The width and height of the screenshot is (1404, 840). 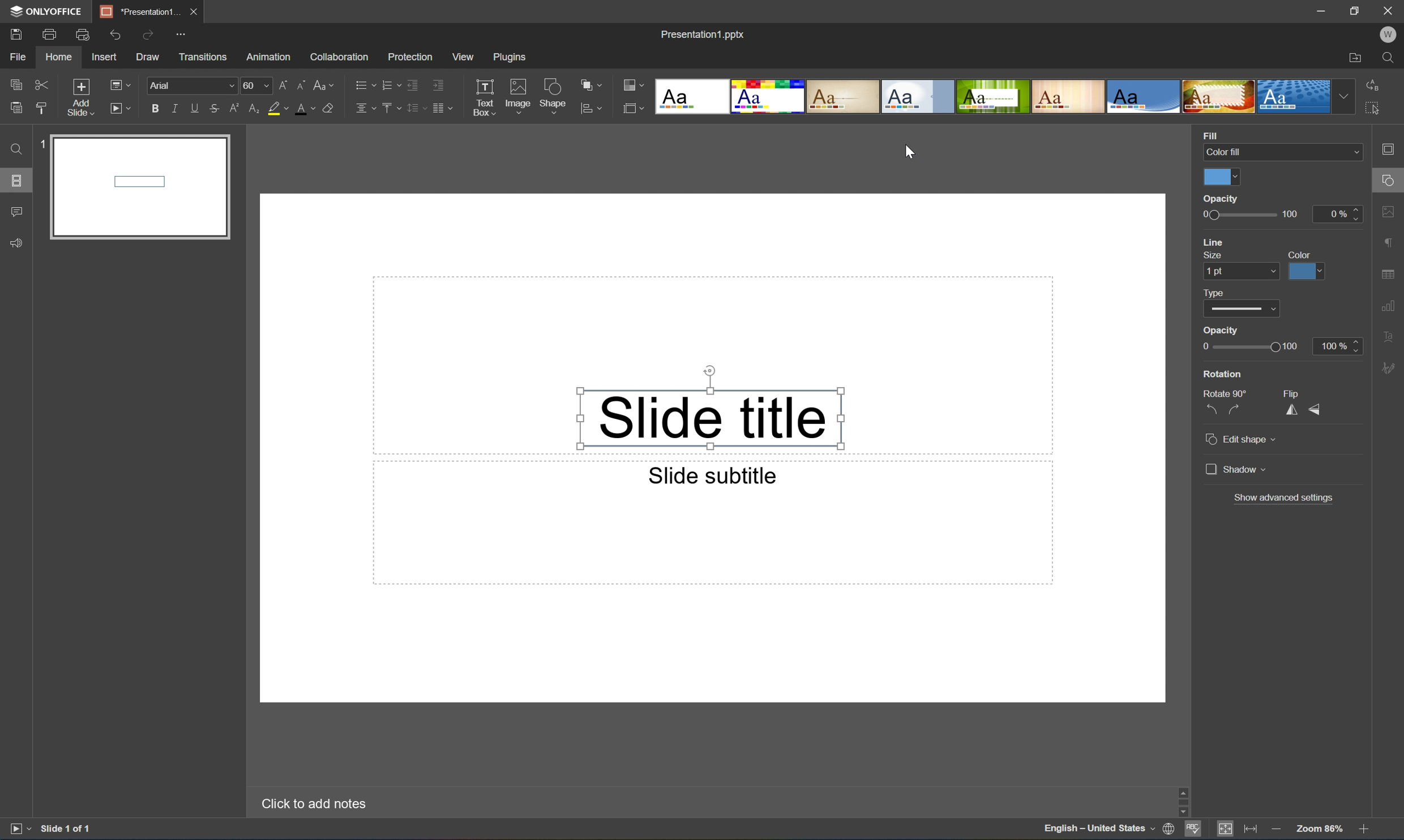 I want to click on Slides, so click(x=16, y=179).